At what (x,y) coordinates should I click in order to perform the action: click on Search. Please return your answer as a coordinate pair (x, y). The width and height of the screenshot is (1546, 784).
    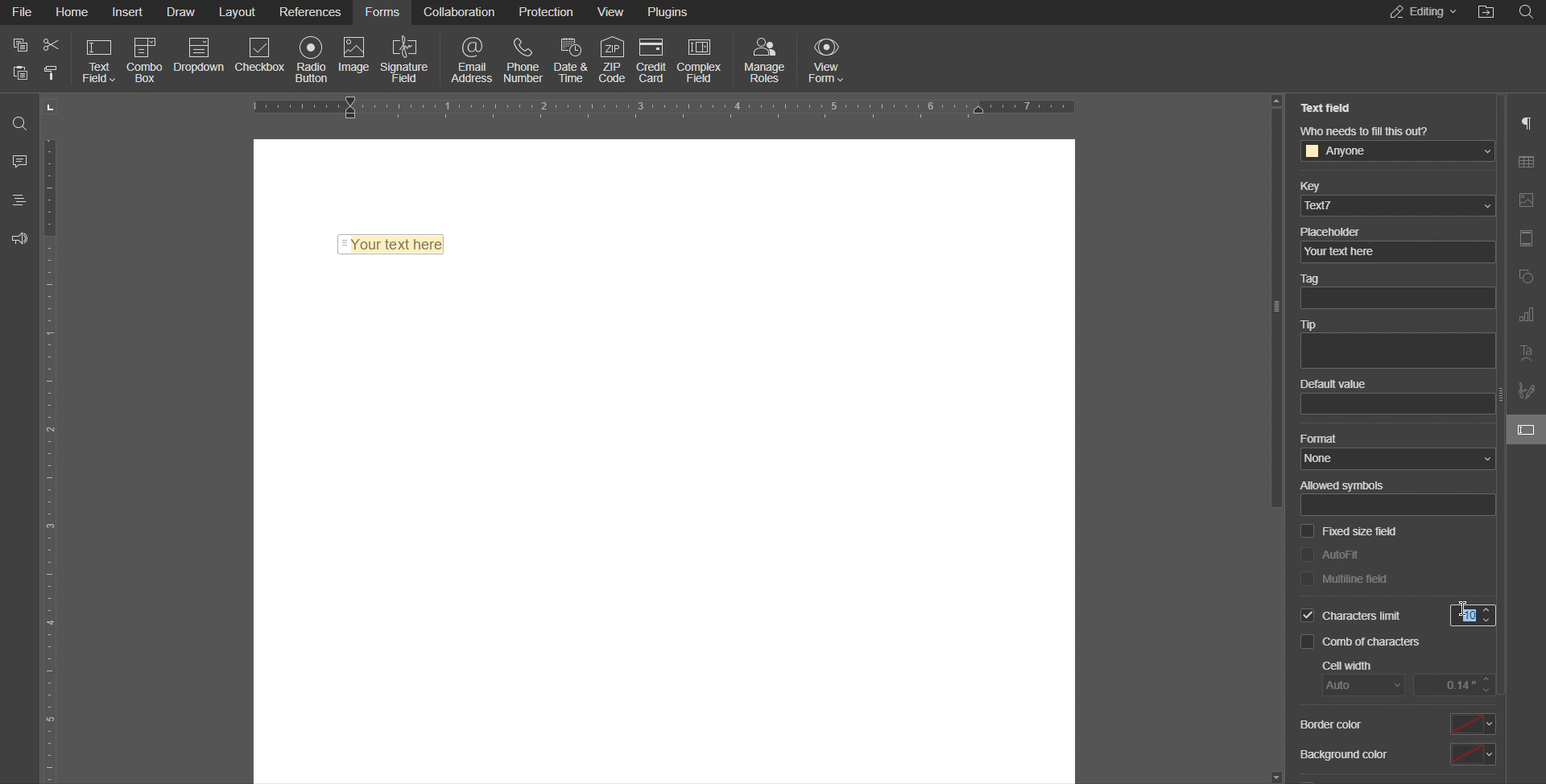
    Looking at the image, I should click on (18, 118).